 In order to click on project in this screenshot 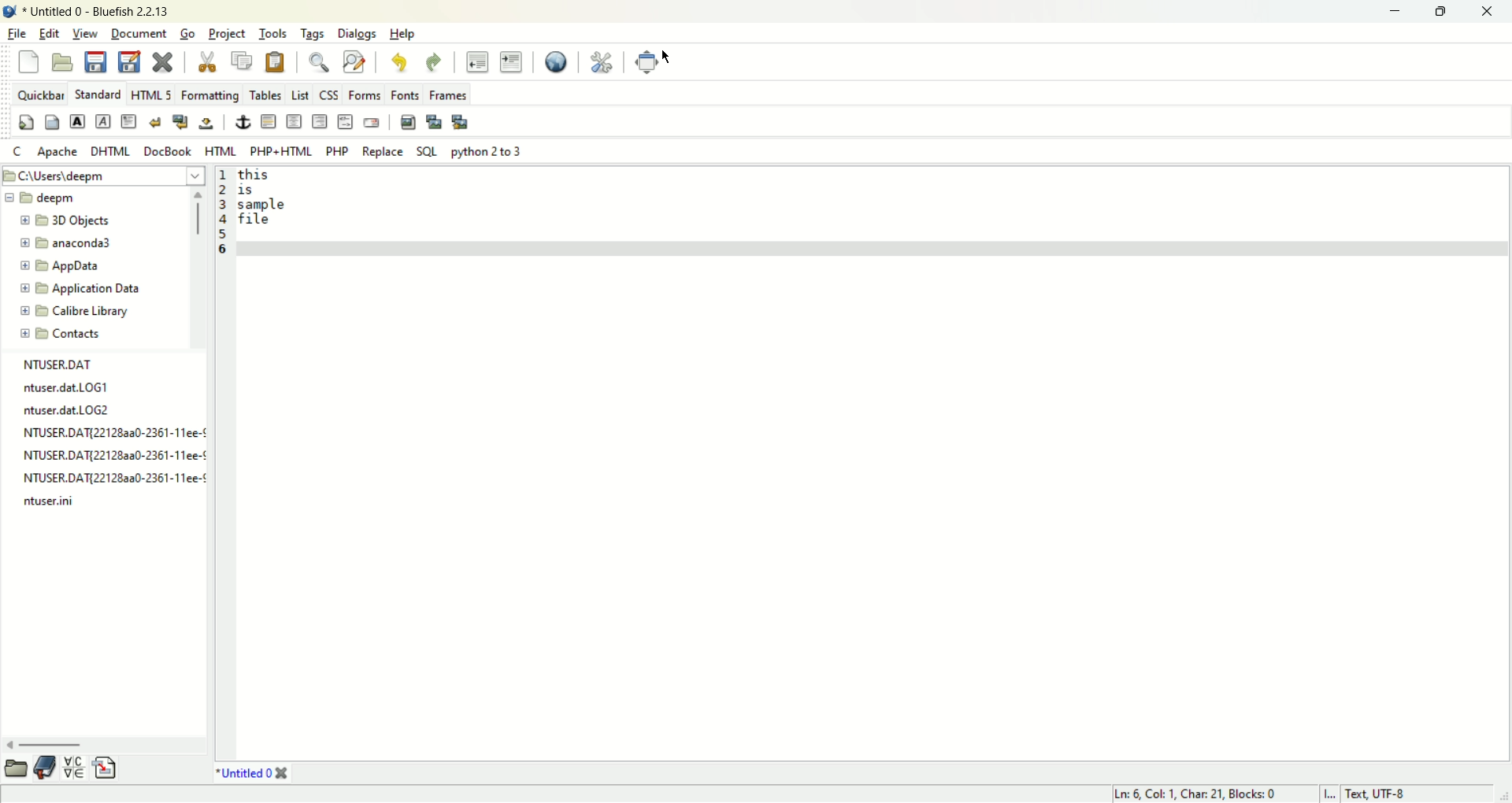, I will do `click(228, 33)`.